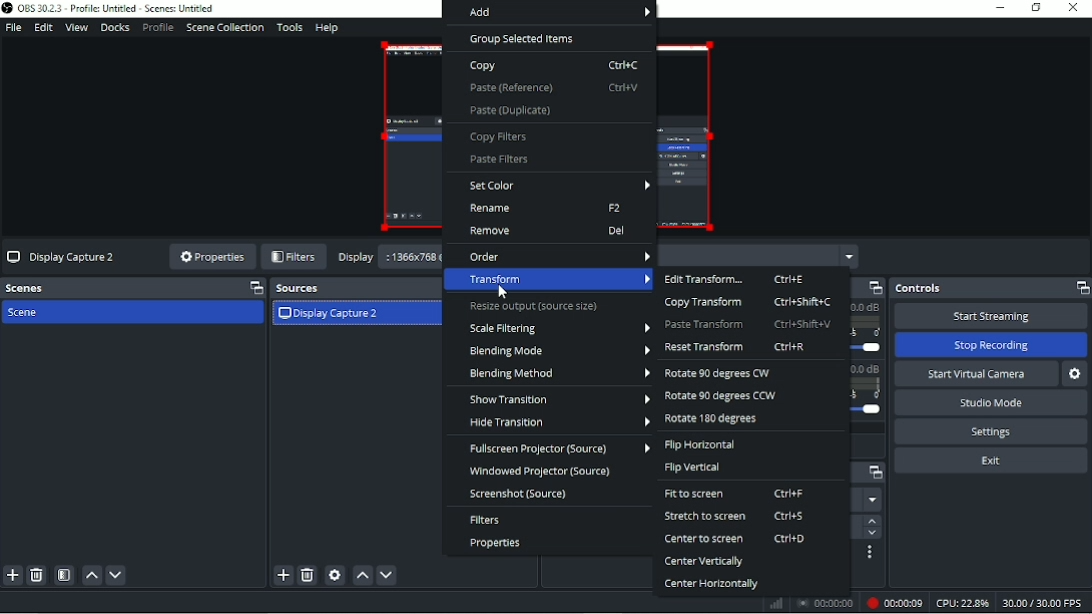 This screenshot has width=1092, height=614. I want to click on Copy, so click(554, 66).